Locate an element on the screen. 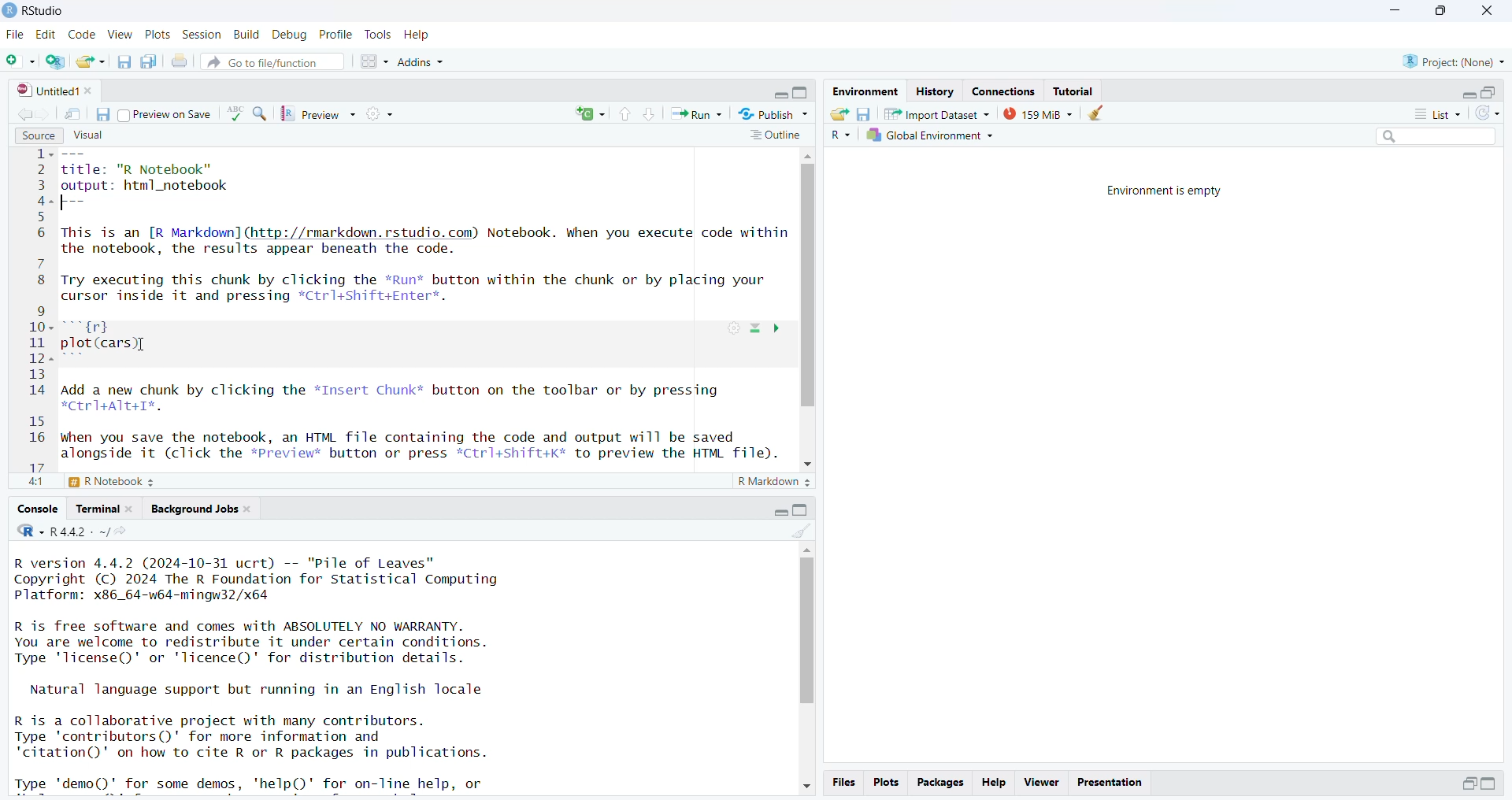 Image resolution: width=1512 pixels, height=800 pixels. code is located at coordinates (83, 34).